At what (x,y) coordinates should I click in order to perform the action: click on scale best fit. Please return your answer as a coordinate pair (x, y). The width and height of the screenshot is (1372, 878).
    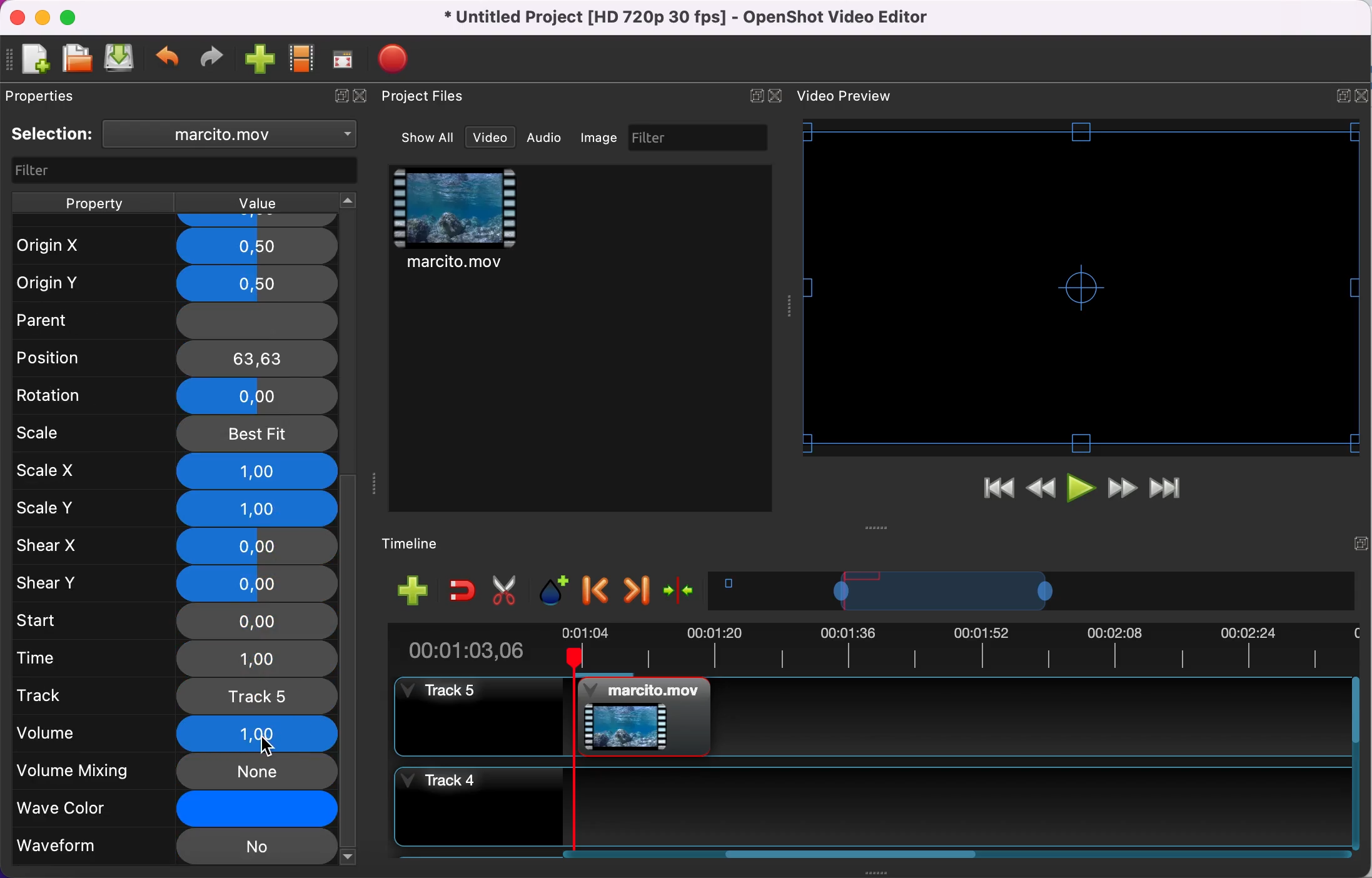
    Looking at the image, I should click on (176, 435).